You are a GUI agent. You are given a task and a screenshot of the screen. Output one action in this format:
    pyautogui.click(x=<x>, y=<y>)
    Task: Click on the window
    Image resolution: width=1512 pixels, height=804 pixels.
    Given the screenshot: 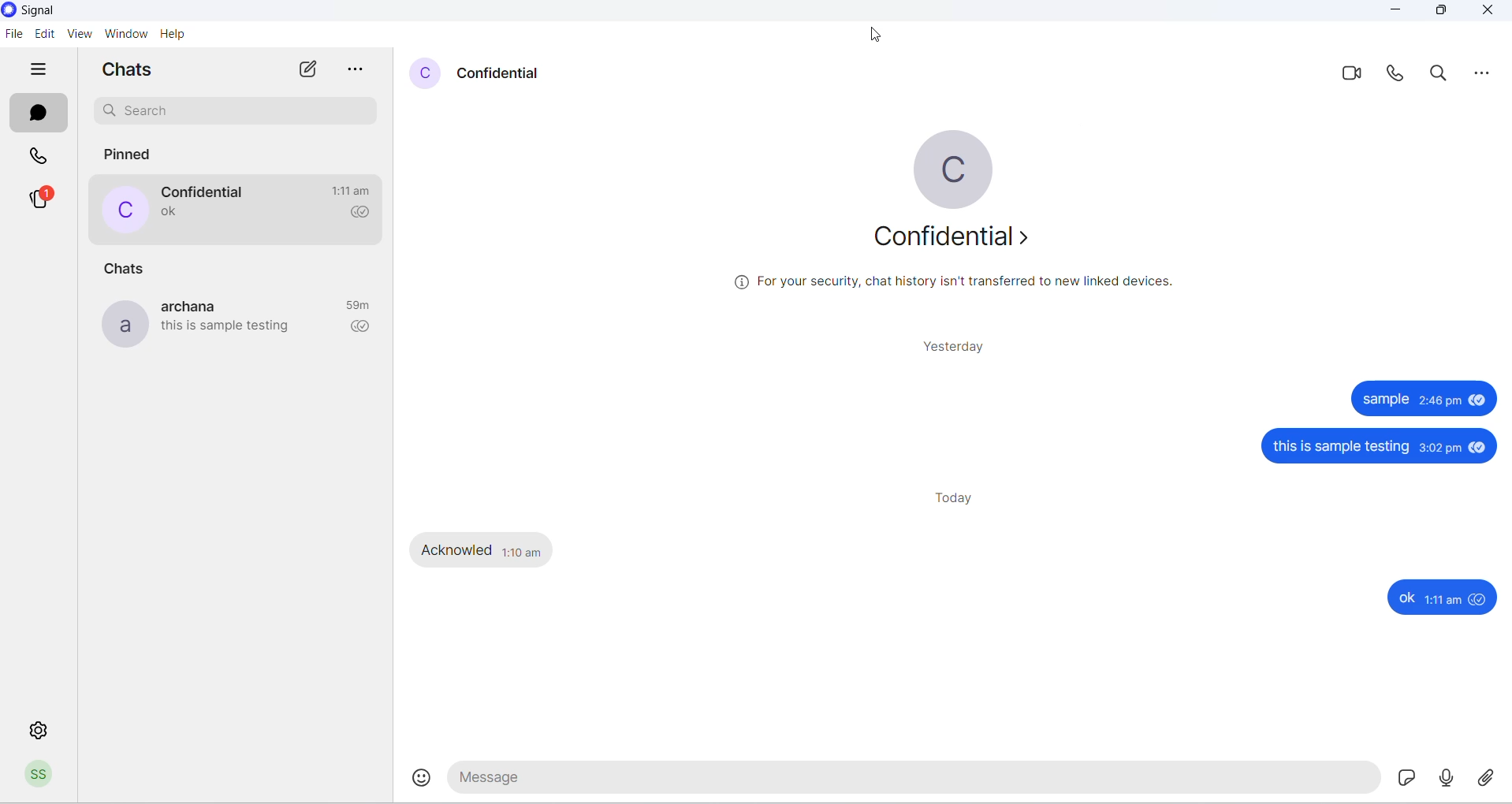 What is the action you would take?
    pyautogui.click(x=125, y=34)
    